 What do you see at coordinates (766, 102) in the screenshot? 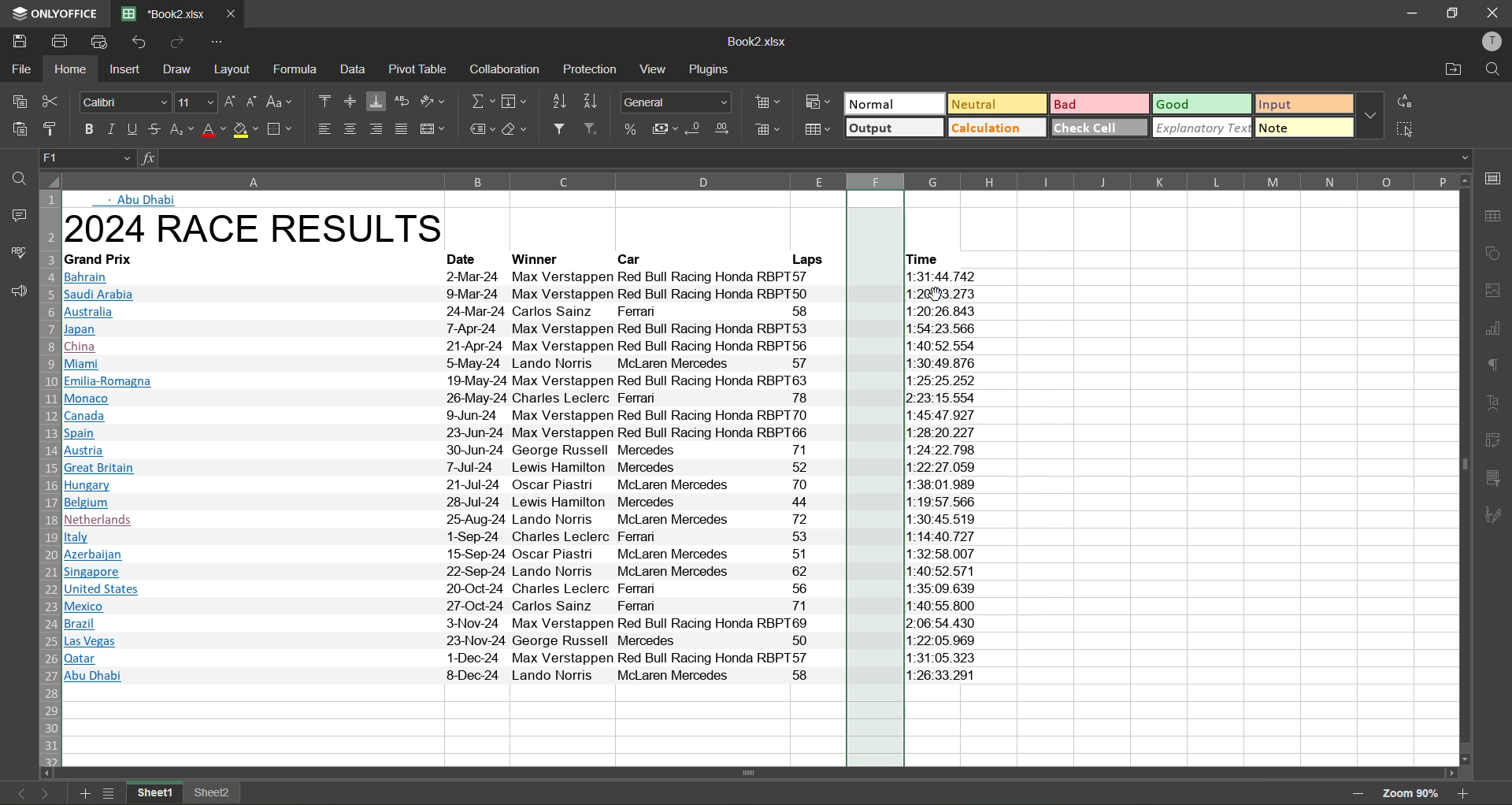
I see `insert cells` at bounding box center [766, 102].